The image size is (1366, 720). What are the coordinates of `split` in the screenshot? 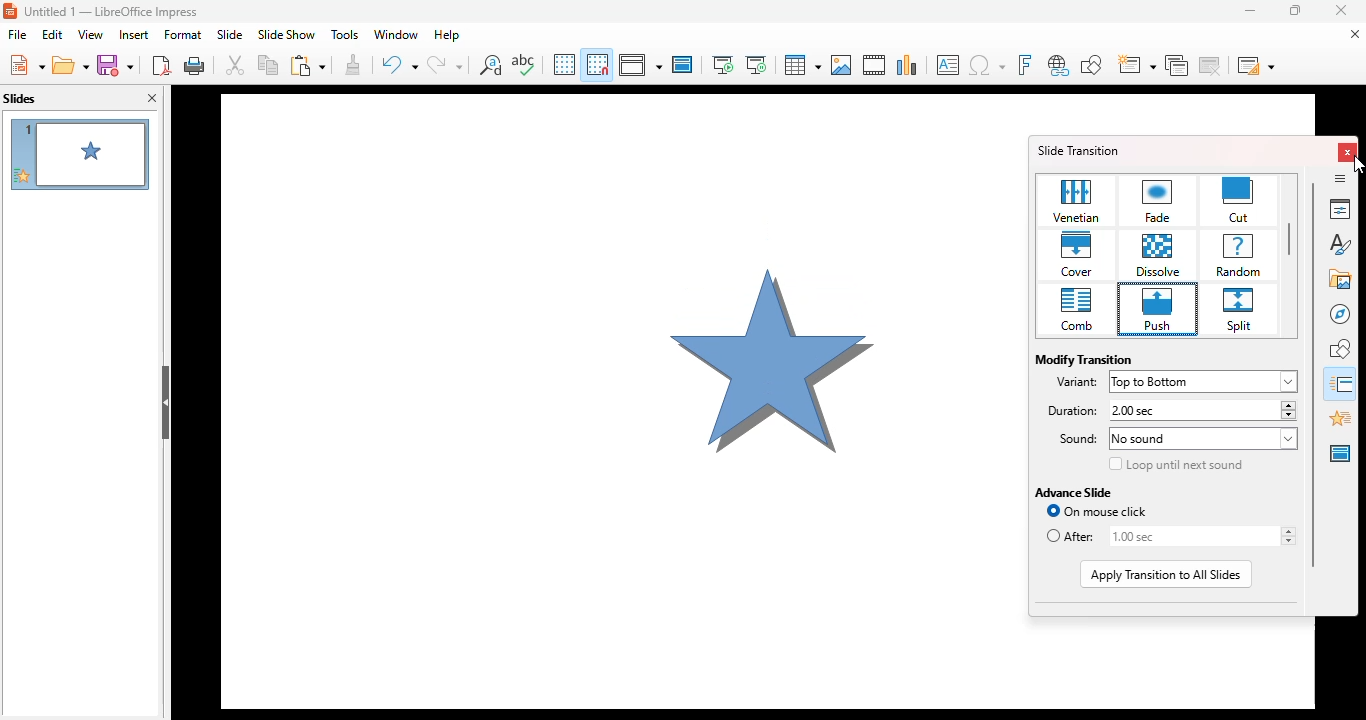 It's located at (1240, 313).